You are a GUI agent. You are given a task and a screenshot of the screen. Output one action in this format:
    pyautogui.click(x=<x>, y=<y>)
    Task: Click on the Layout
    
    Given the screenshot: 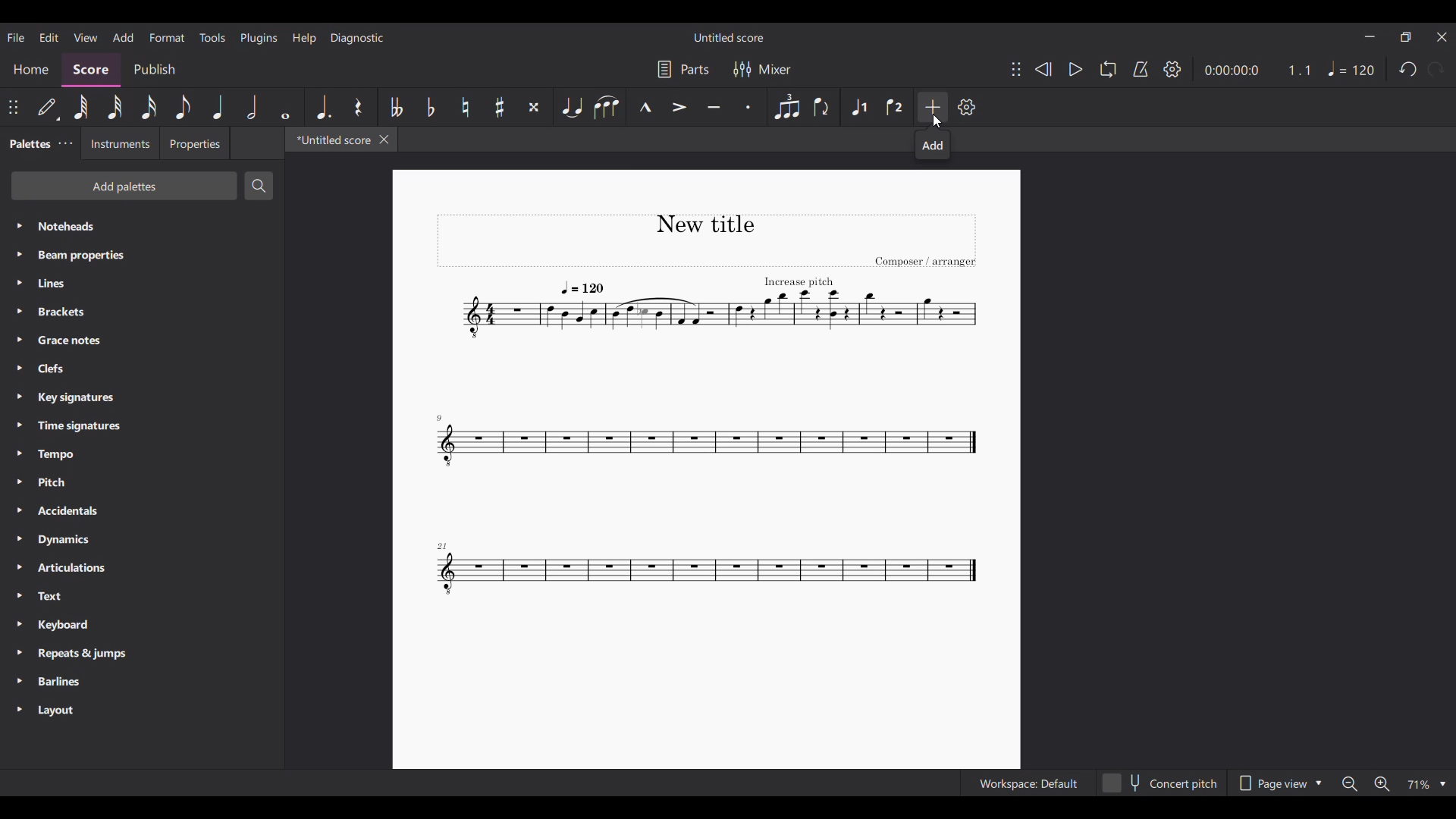 What is the action you would take?
    pyautogui.click(x=143, y=711)
    